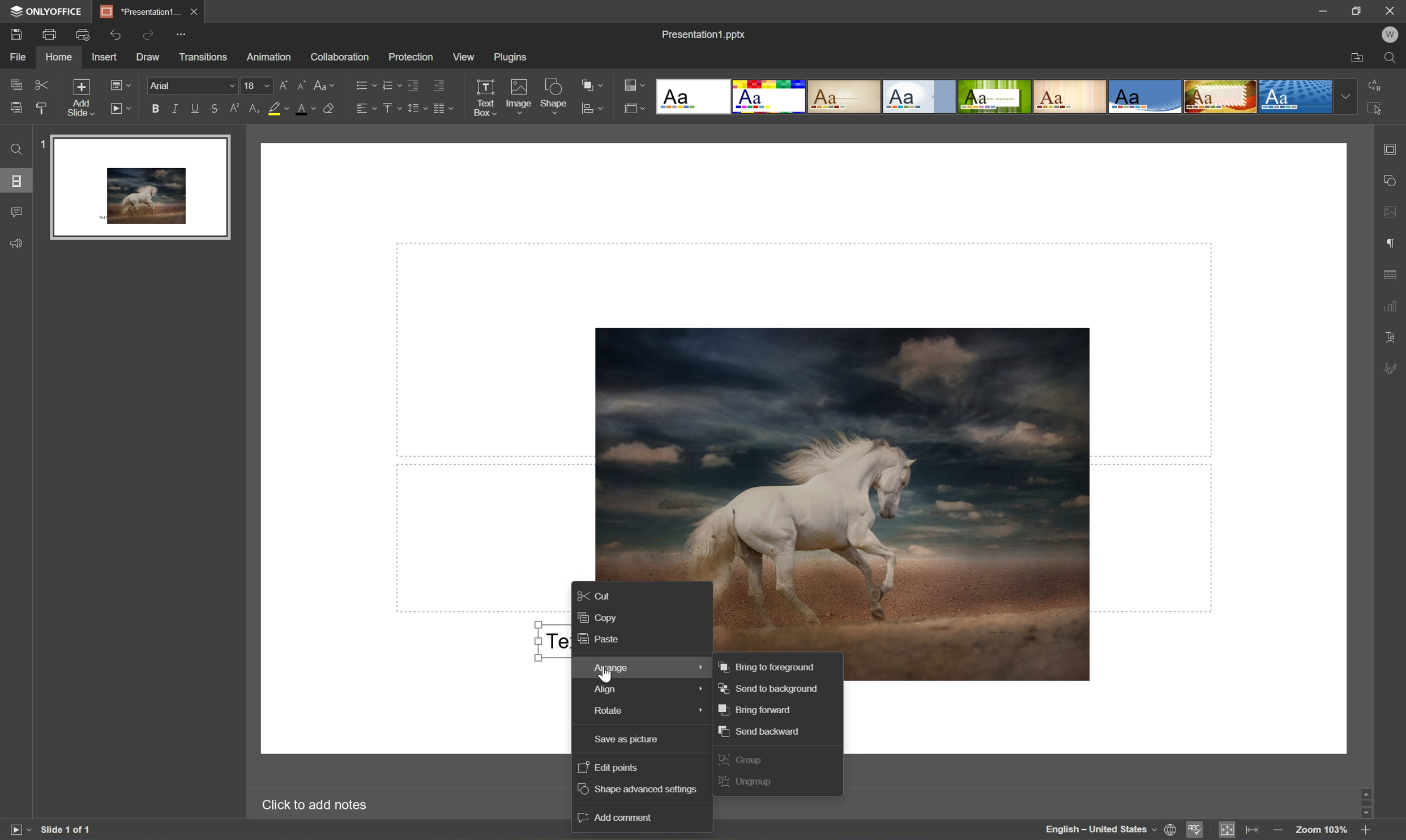  I want to click on Start slideshow, so click(119, 109).